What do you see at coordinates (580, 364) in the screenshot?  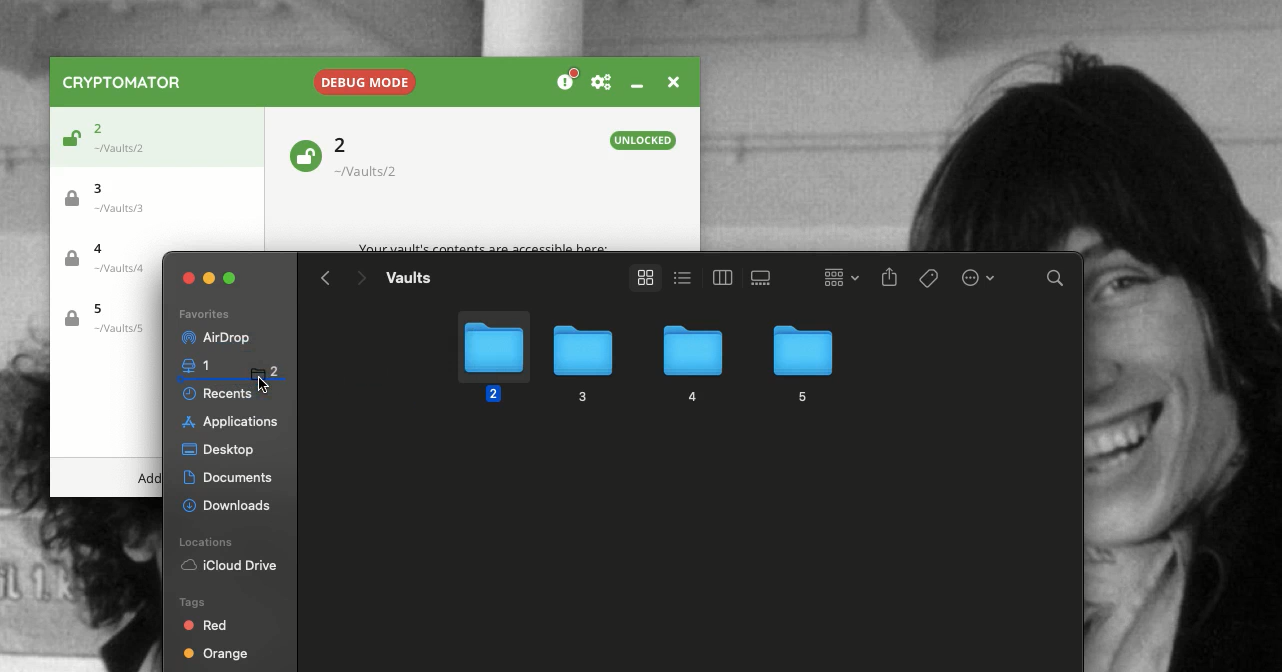 I see `3` at bounding box center [580, 364].